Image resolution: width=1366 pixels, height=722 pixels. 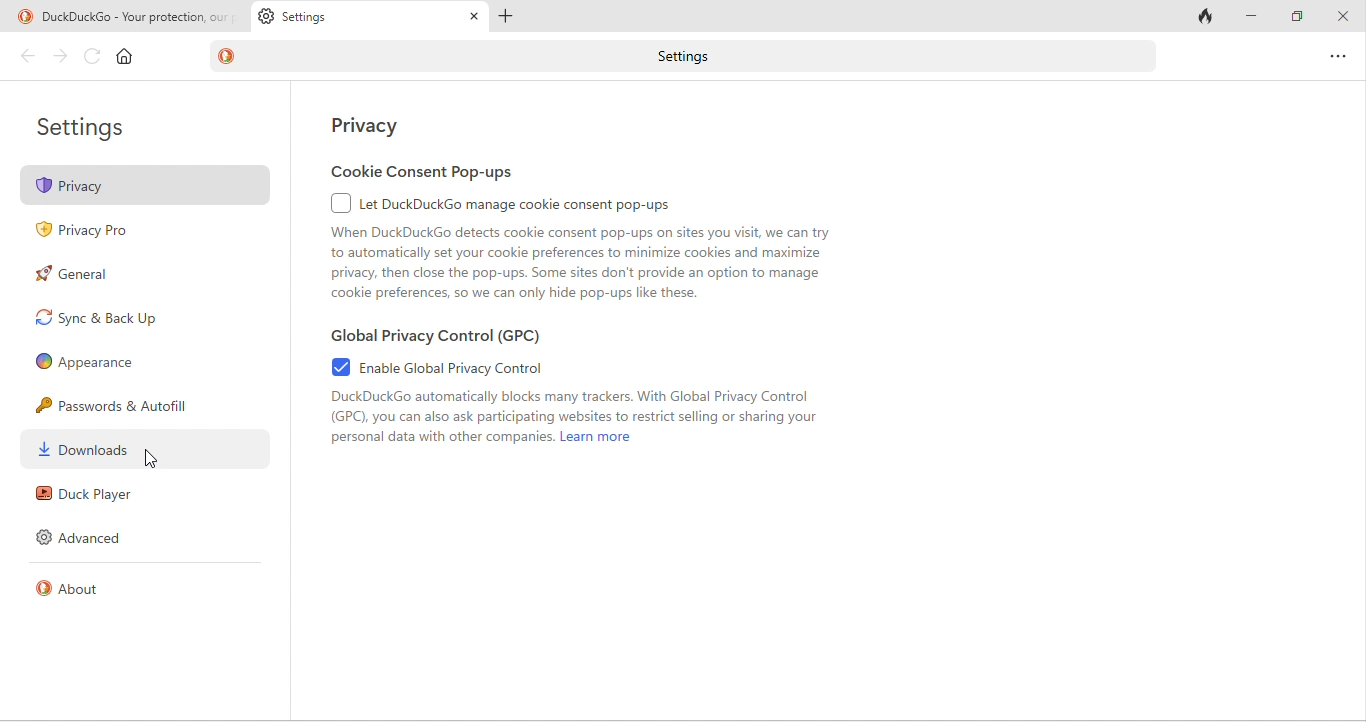 What do you see at coordinates (86, 496) in the screenshot?
I see `duck player` at bounding box center [86, 496].